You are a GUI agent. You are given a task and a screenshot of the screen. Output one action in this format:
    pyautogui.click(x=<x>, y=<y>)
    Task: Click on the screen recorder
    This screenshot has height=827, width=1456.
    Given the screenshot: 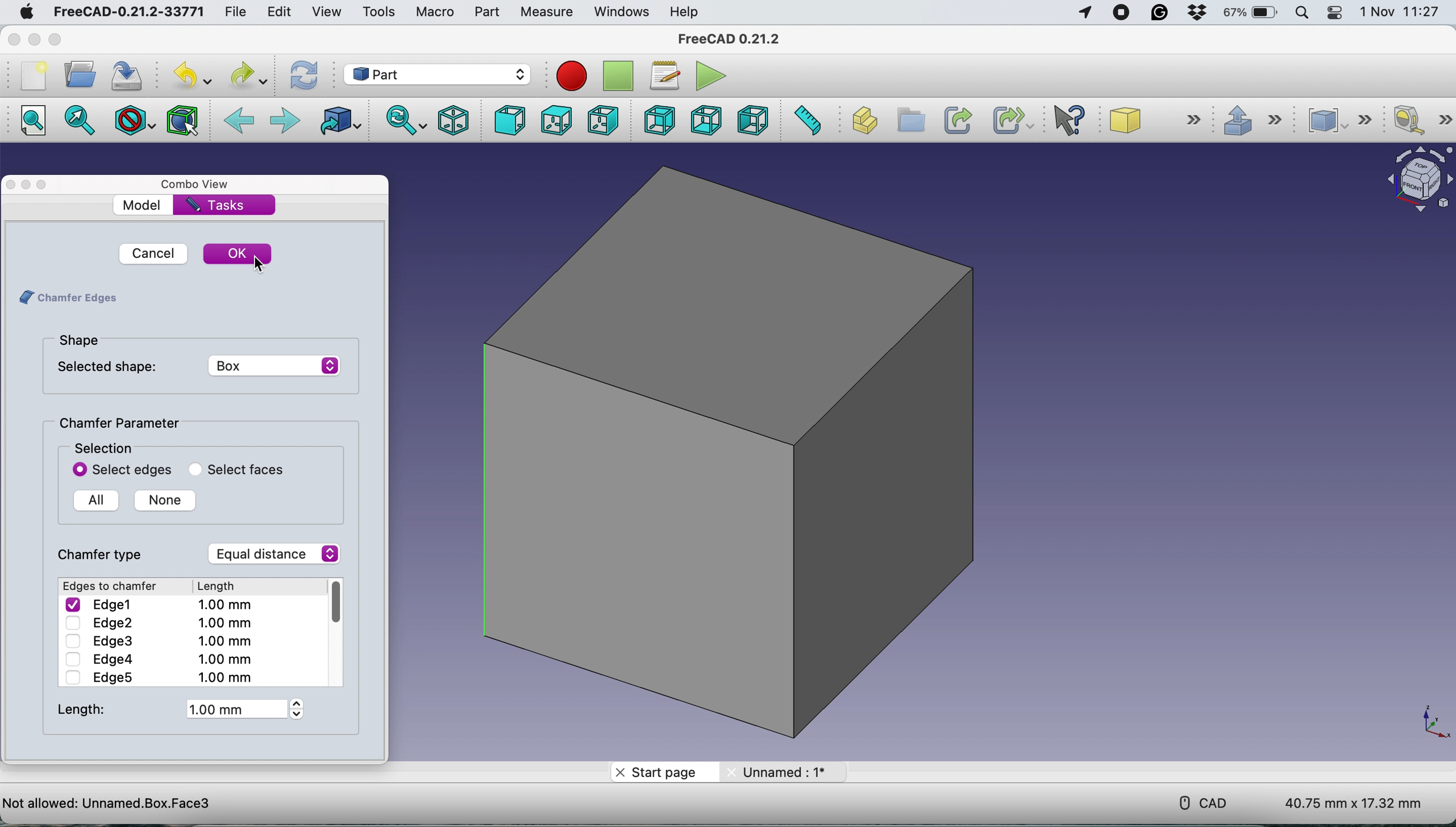 What is the action you would take?
    pyautogui.click(x=1122, y=12)
    